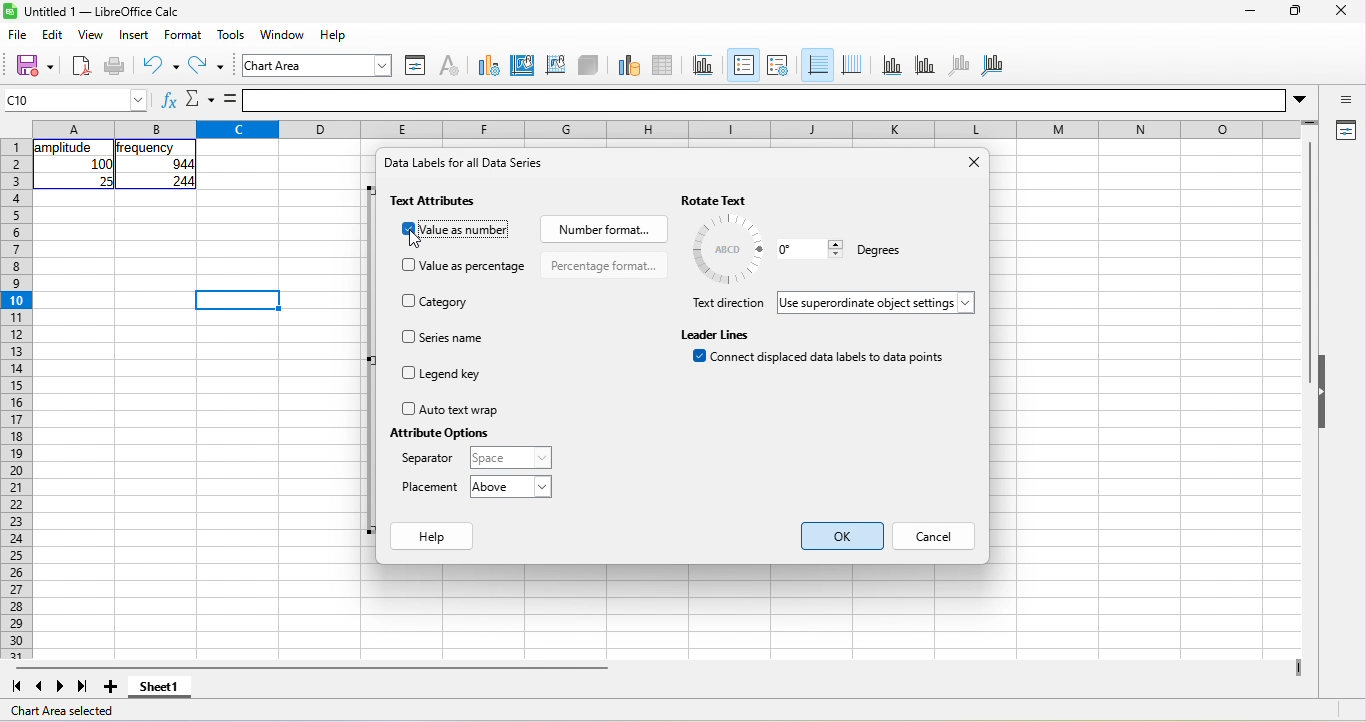 This screenshot has width=1366, height=722. Describe the element at coordinates (83, 687) in the screenshot. I see `last sheet` at that location.